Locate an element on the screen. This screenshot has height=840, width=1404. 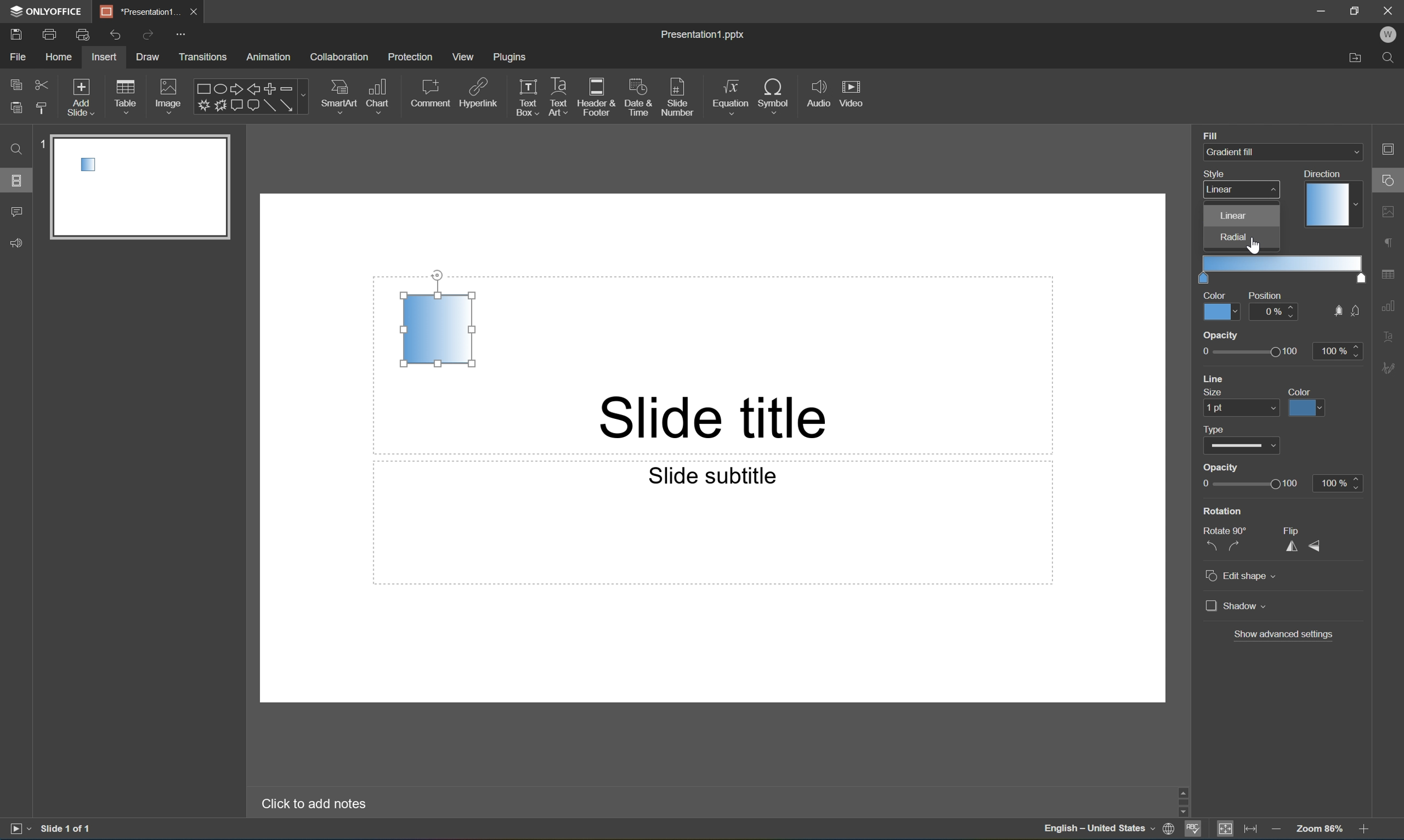
Slide 1 of 1 is located at coordinates (67, 828).